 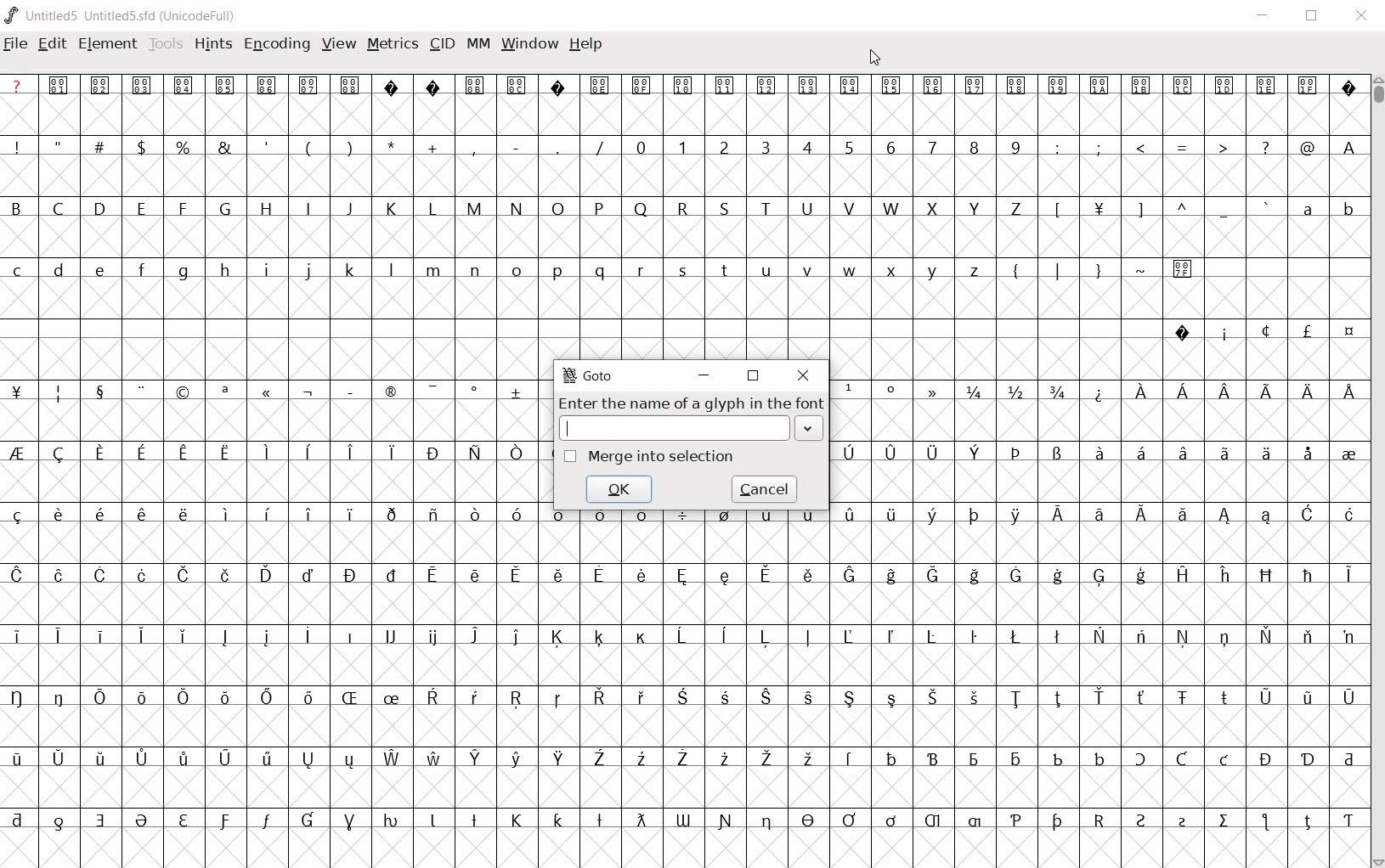 What do you see at coordinates (766, 207) in the screenshot?
I see `T` at bounding box center [766, 207].